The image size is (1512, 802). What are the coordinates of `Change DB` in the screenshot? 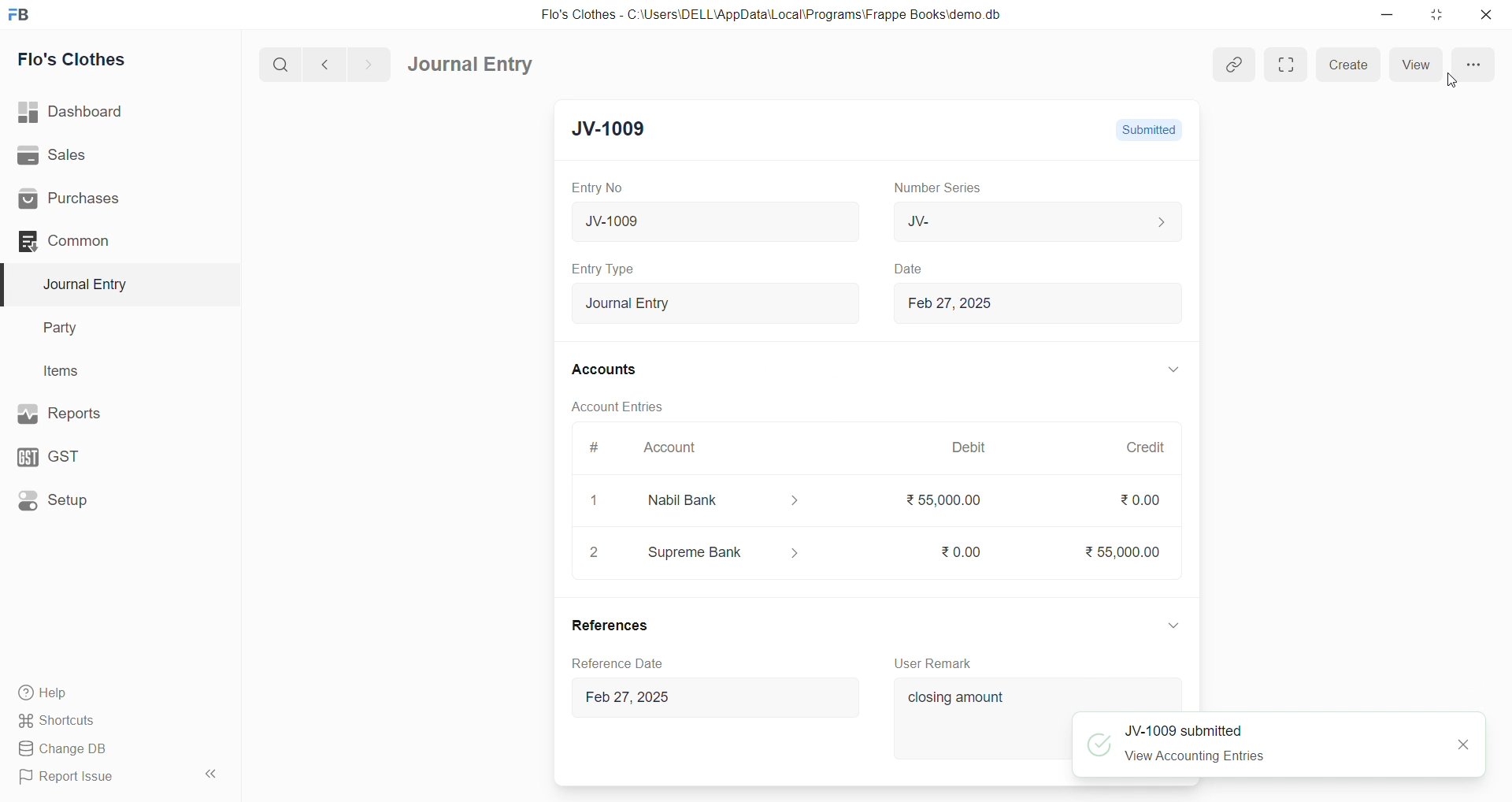 It's located at (98, 748).